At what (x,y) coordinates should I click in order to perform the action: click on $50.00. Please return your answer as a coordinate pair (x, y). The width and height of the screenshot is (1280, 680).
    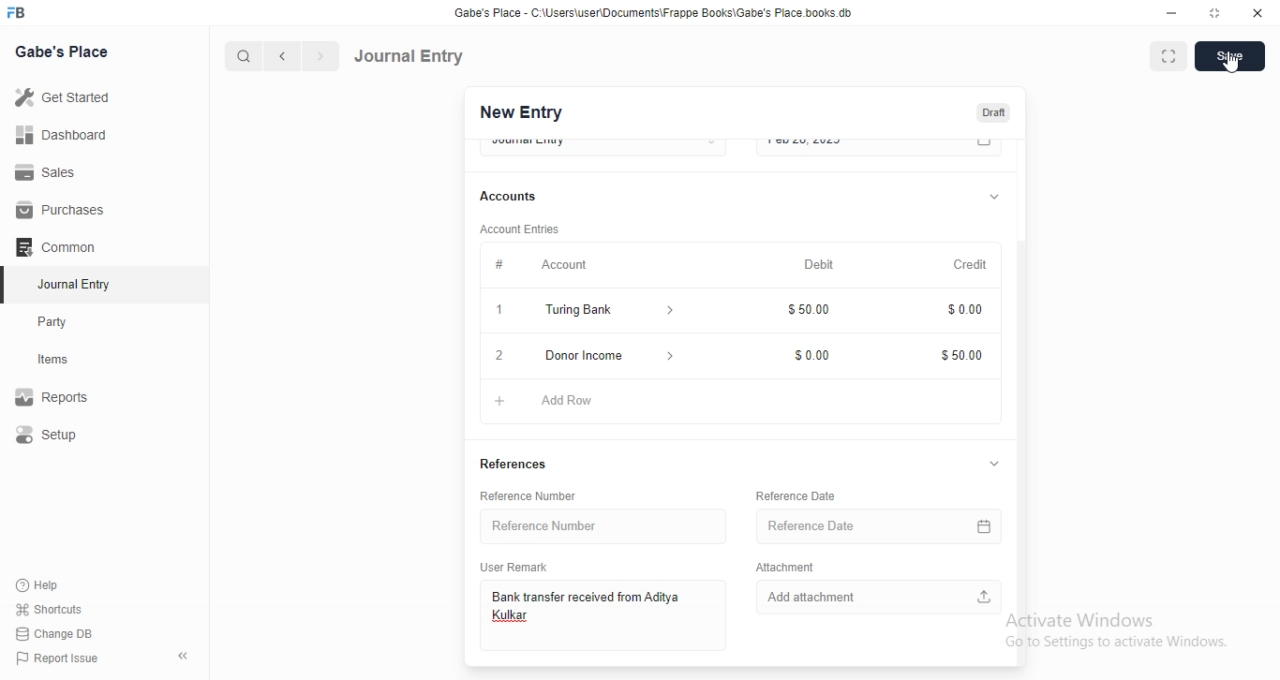
    Looking at the image, I should click on (813, 312).